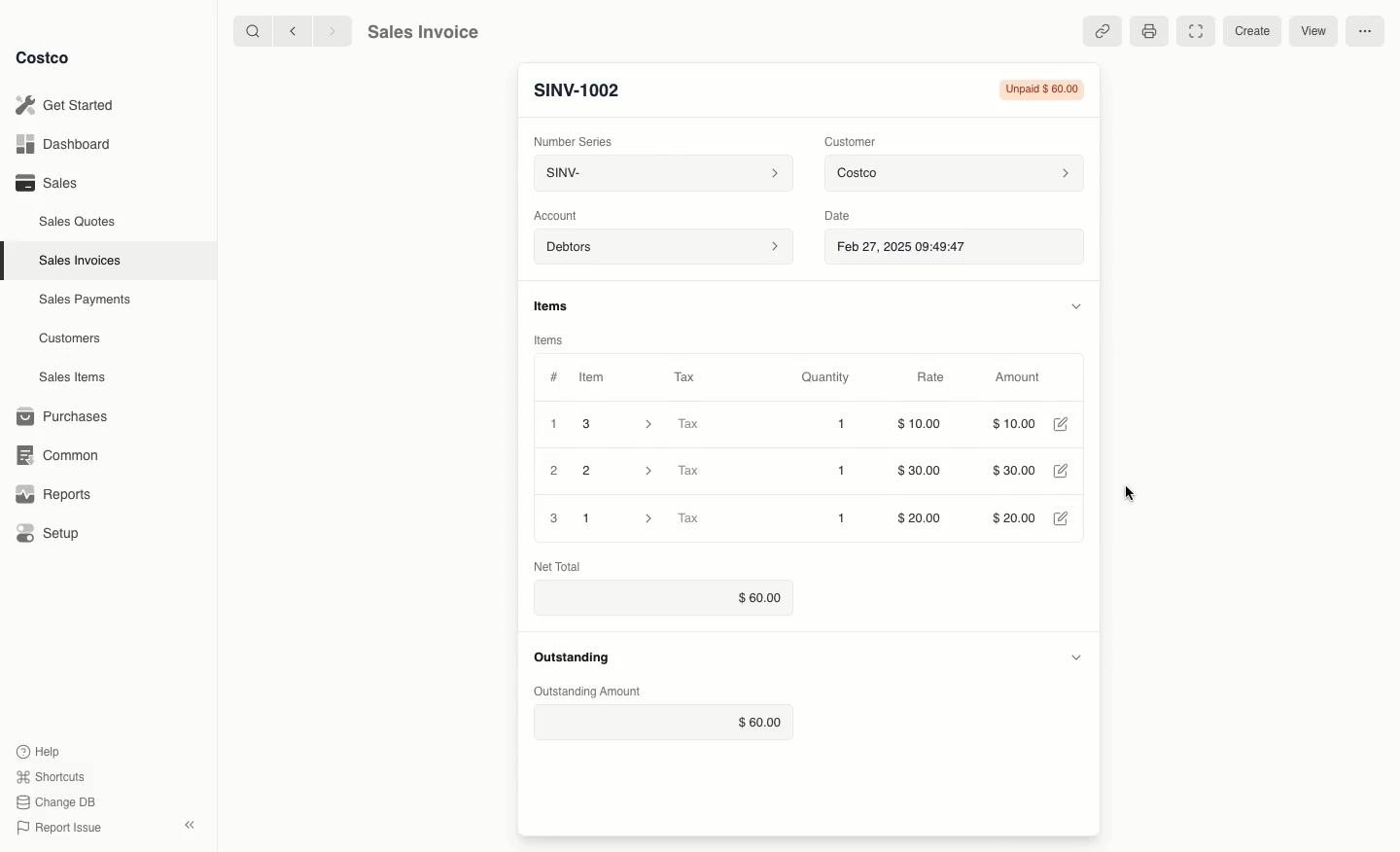 Image resolution: width=1400 pixels, height=852 pixels. I want to click on 1, so click(838, 472).